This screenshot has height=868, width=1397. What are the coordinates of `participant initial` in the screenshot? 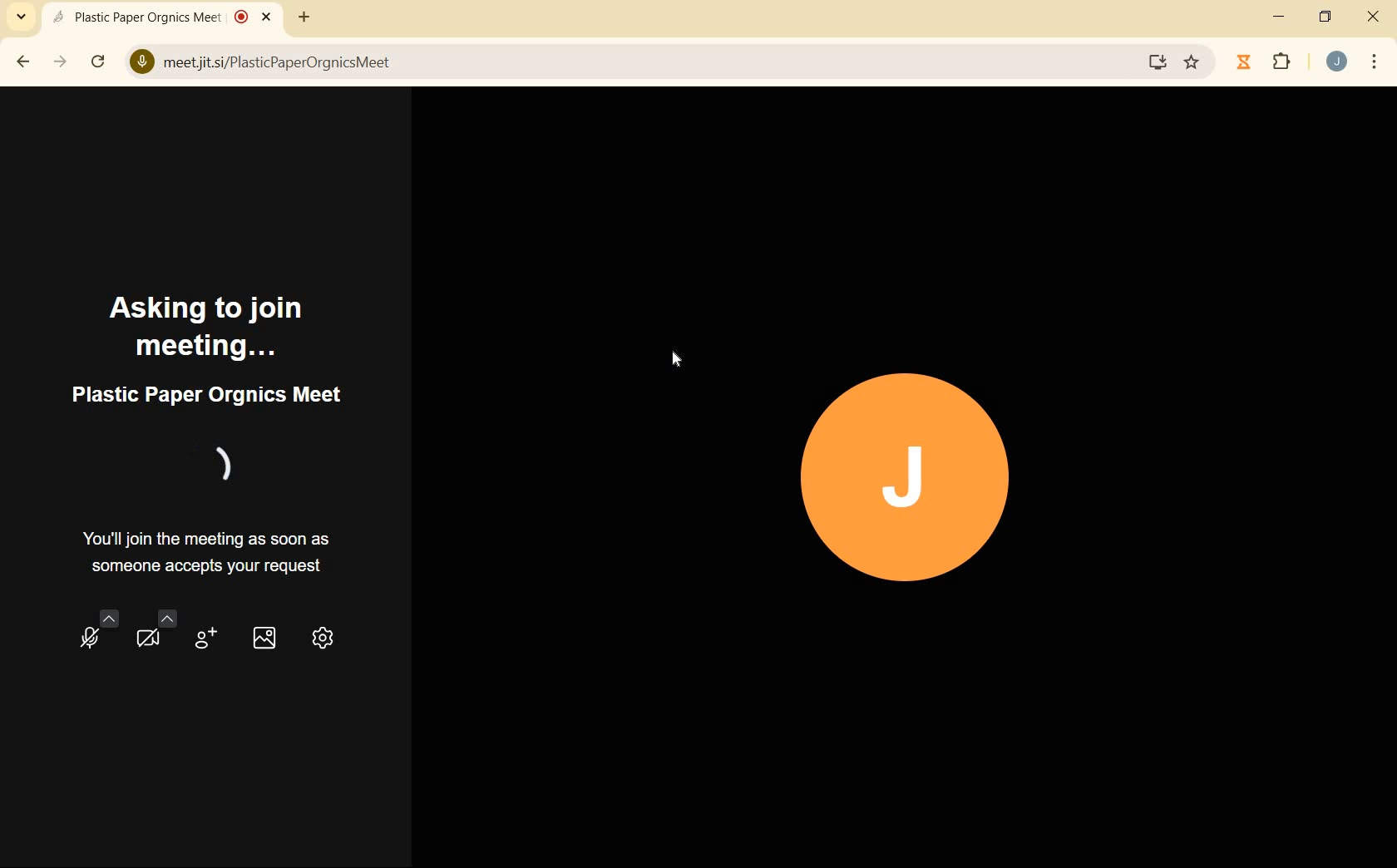 It's located at (907, 481).